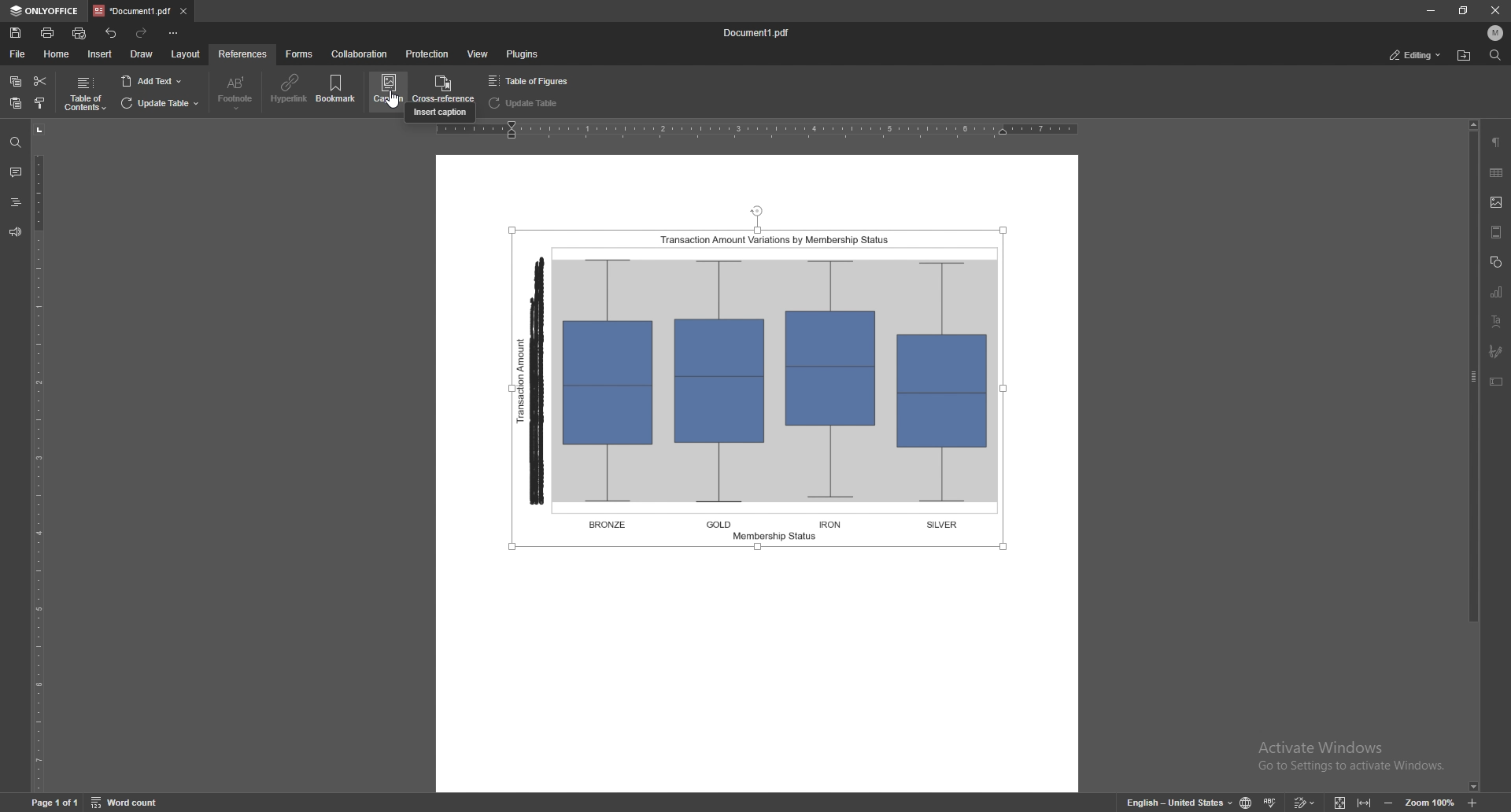 The image size is (1511, 812). Describe the element at coordinates (14, 171) in the screenshot. I see `comments` at that location.